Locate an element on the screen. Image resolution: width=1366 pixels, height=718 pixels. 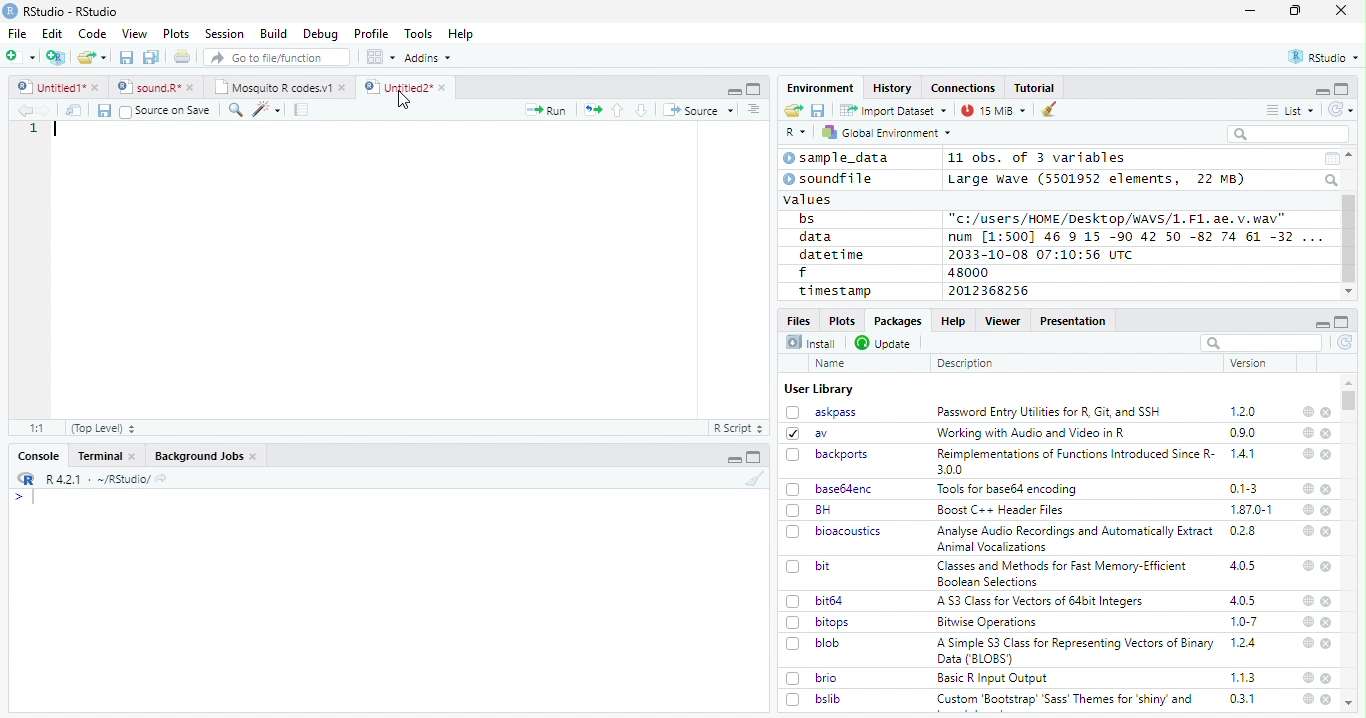
Save all the open documents is located at coordinates (152, 58).